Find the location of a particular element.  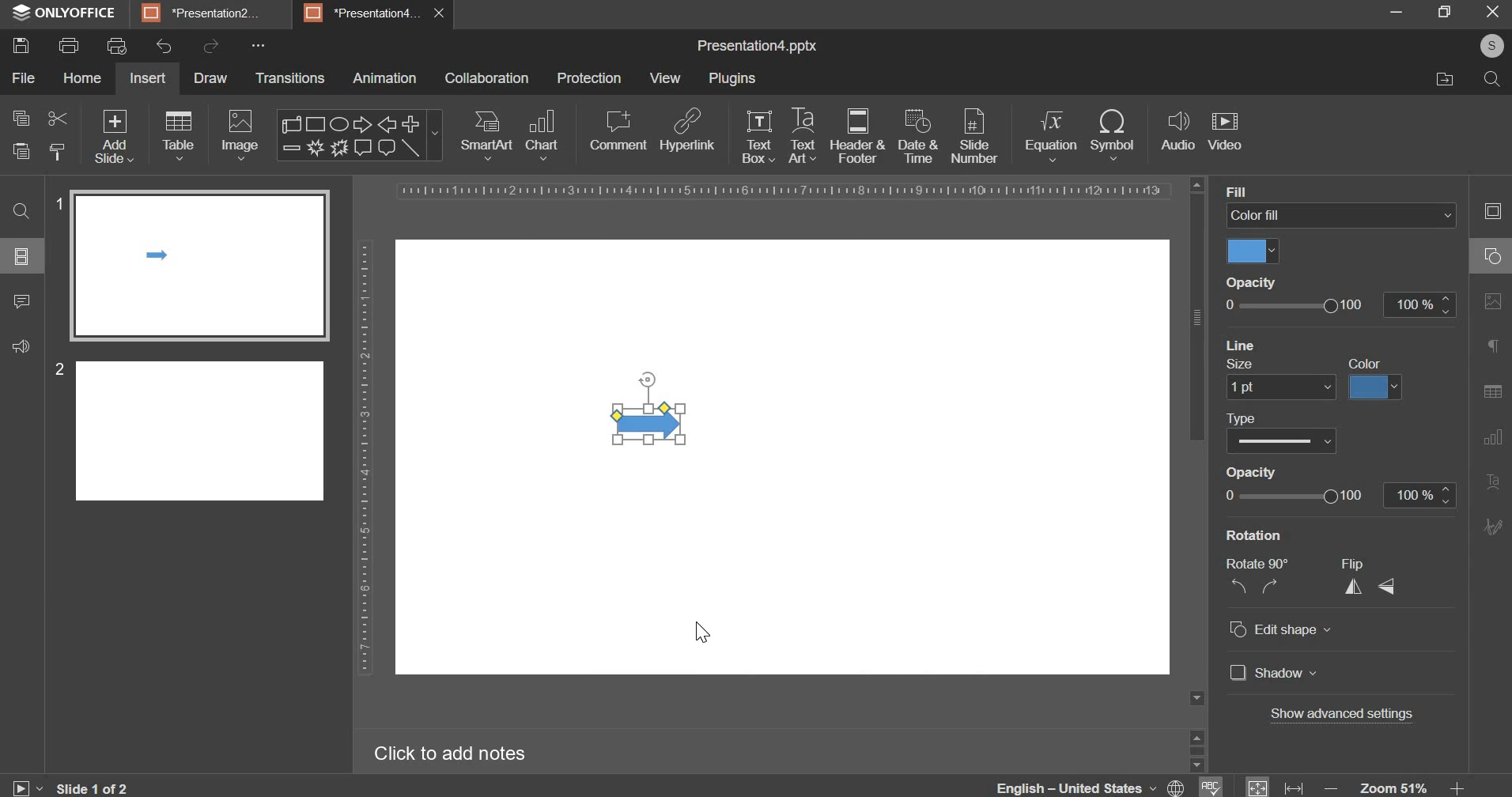

file is located at coordinates (25, 78).